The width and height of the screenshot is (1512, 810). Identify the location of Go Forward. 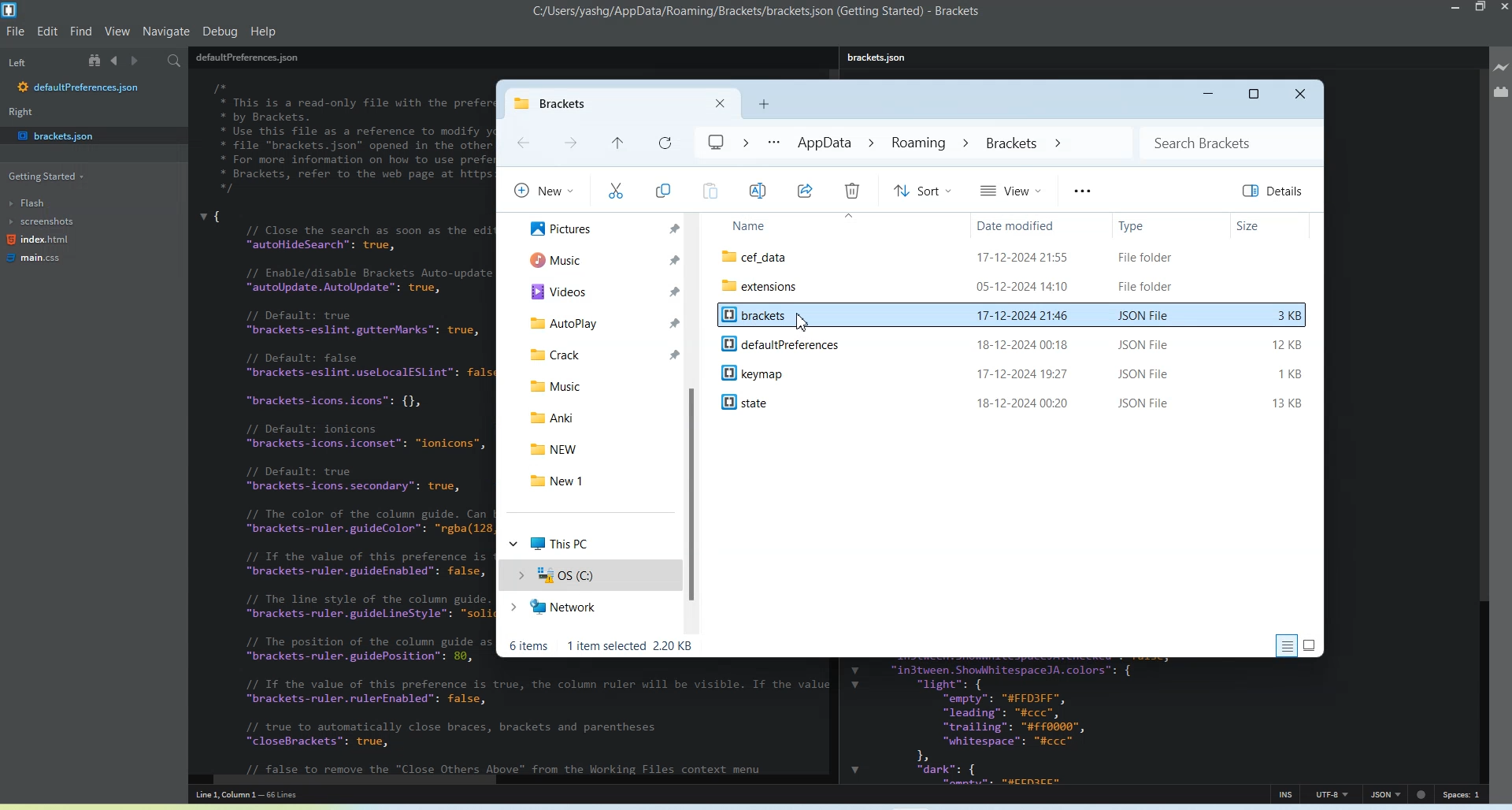
(570, 144).